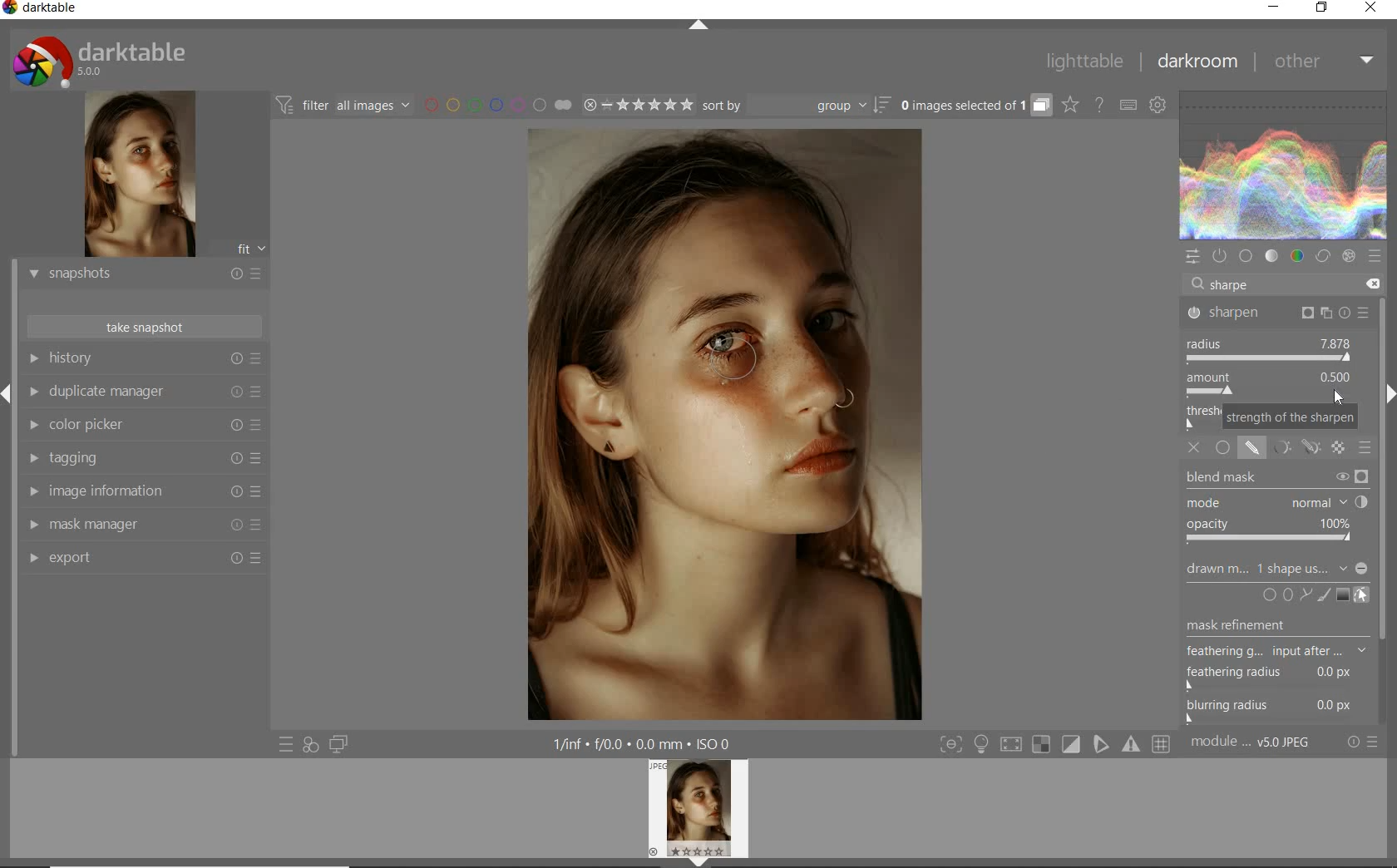 The width and height of the screenshot is (1397, 868). Describe the element at coordinates (144, 560) in the screenshot. I see `export` at that location.